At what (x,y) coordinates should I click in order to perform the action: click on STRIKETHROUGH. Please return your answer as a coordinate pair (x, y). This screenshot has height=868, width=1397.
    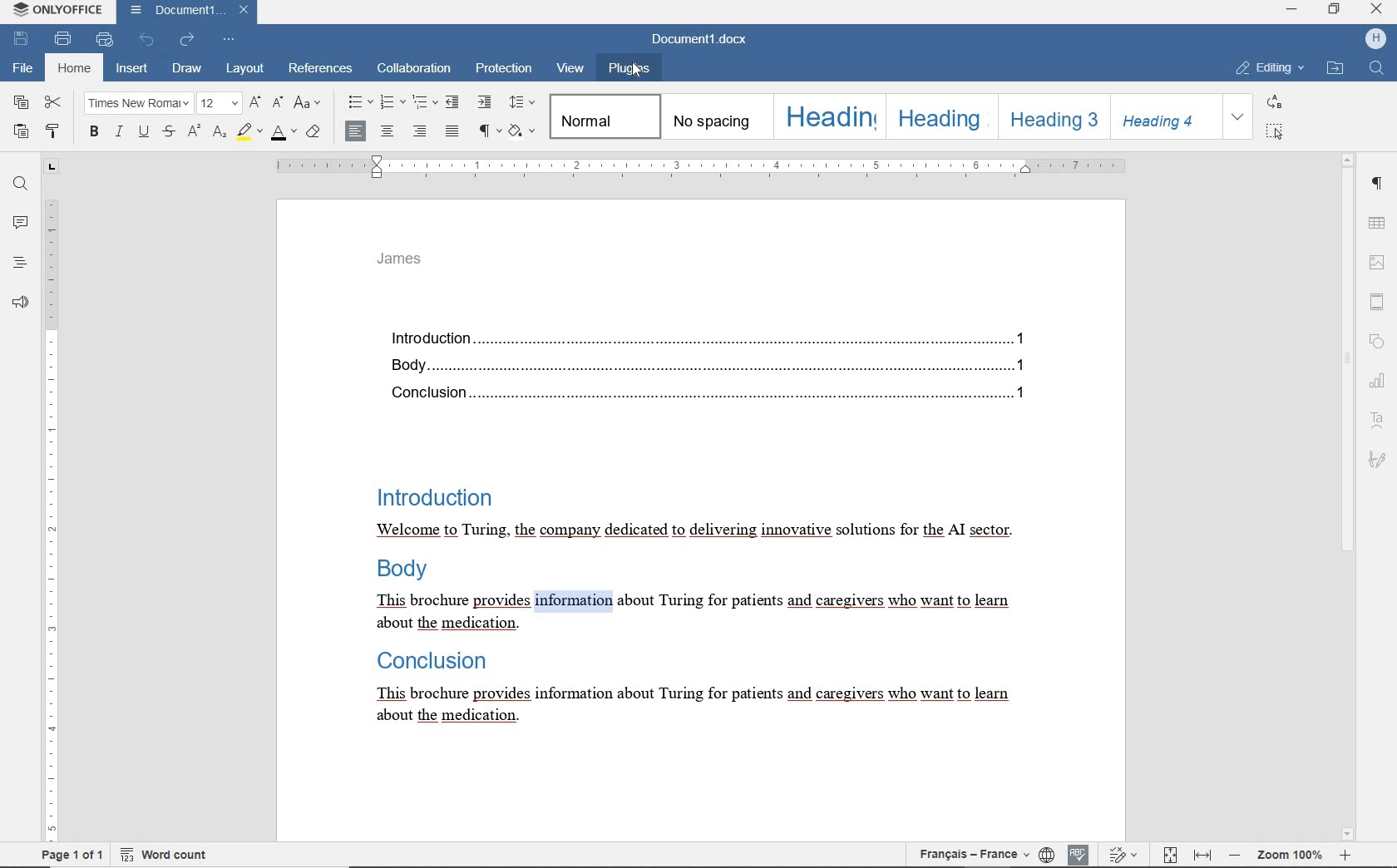
    Looking at the image, I should click on (169, 132).